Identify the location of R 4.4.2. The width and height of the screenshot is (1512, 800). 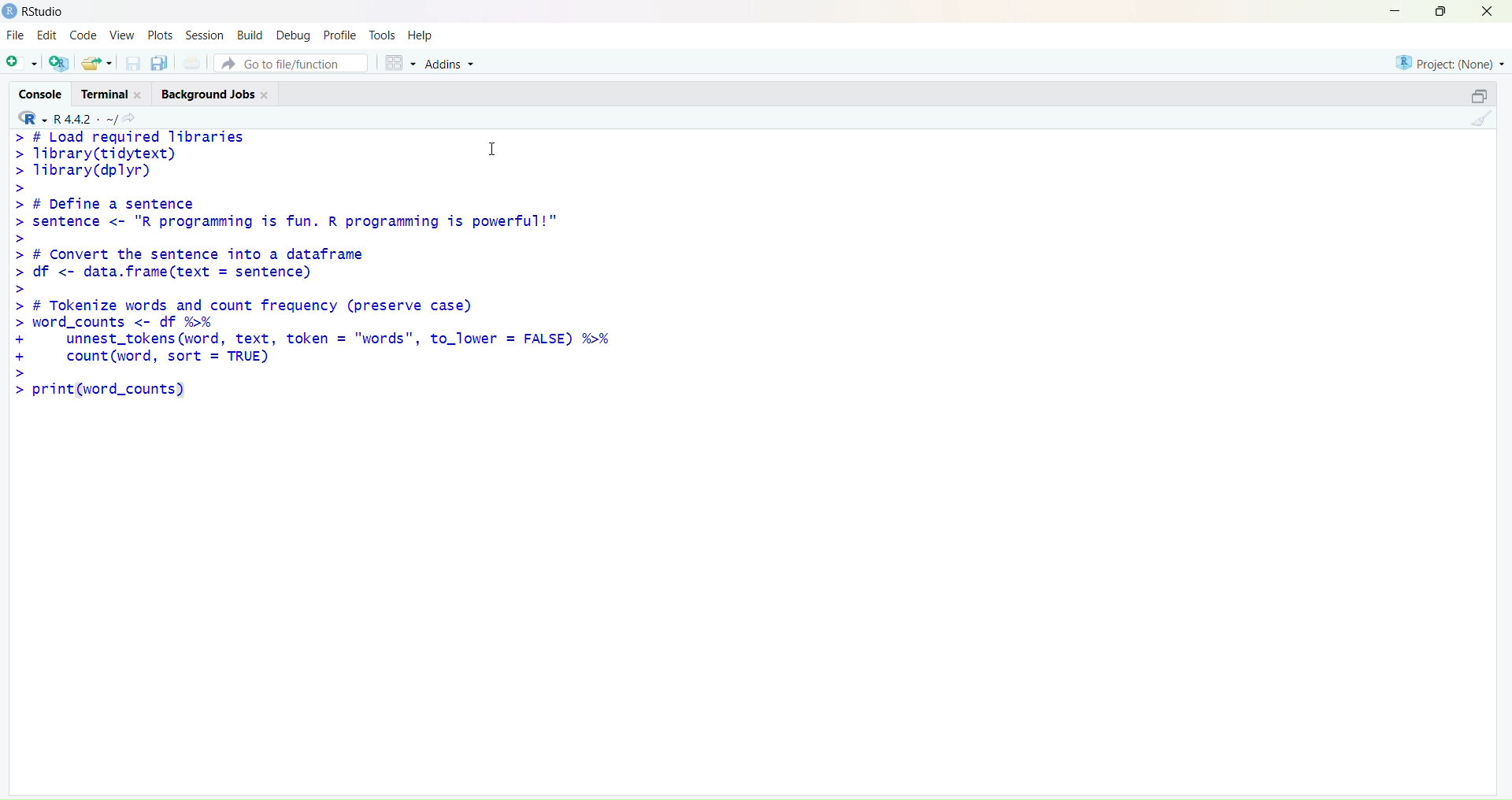
(65, 117).